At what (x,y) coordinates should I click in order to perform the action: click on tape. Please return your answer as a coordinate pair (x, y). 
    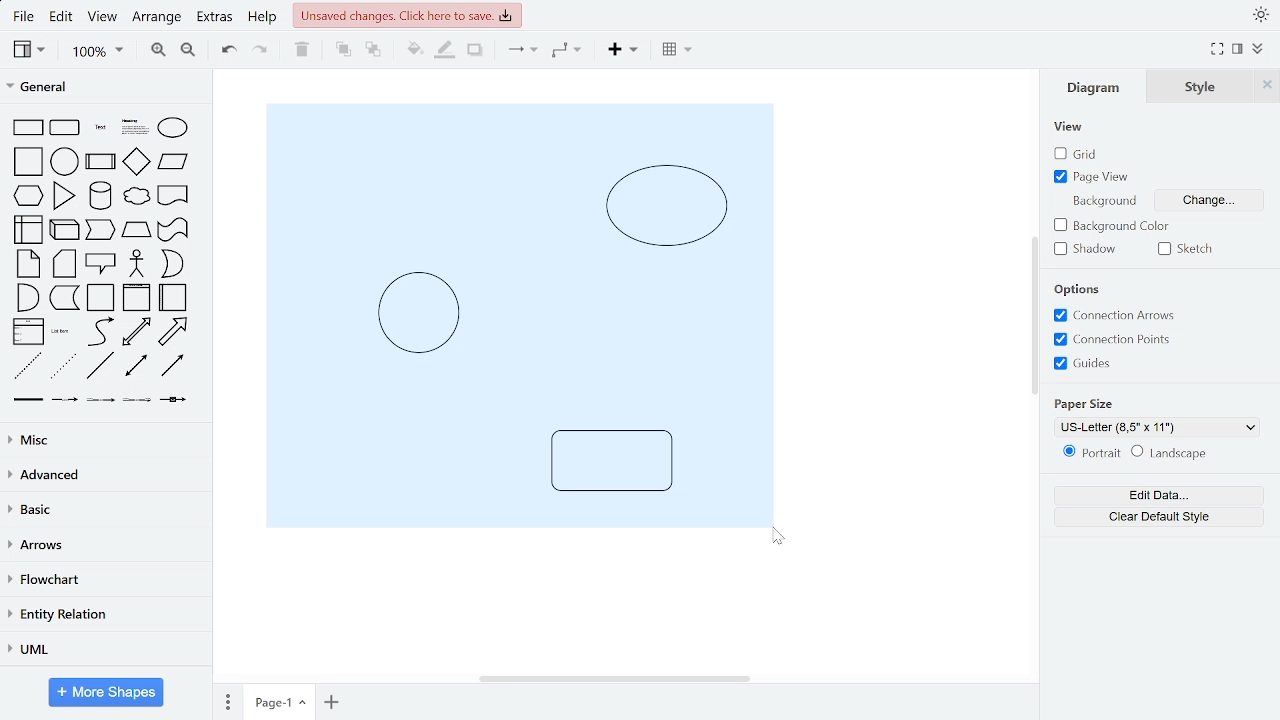
    Looking at the image, I should click on (174, 230).